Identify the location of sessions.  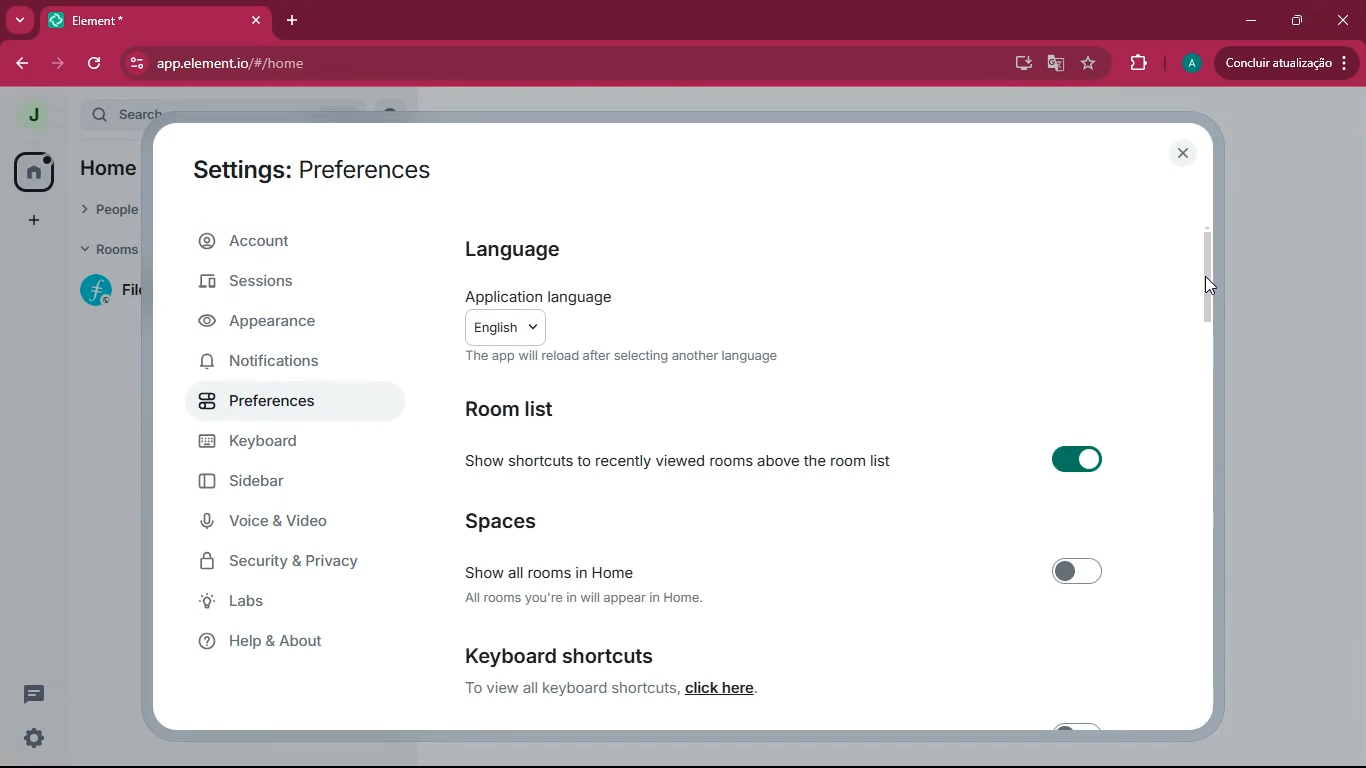
(254, 288).